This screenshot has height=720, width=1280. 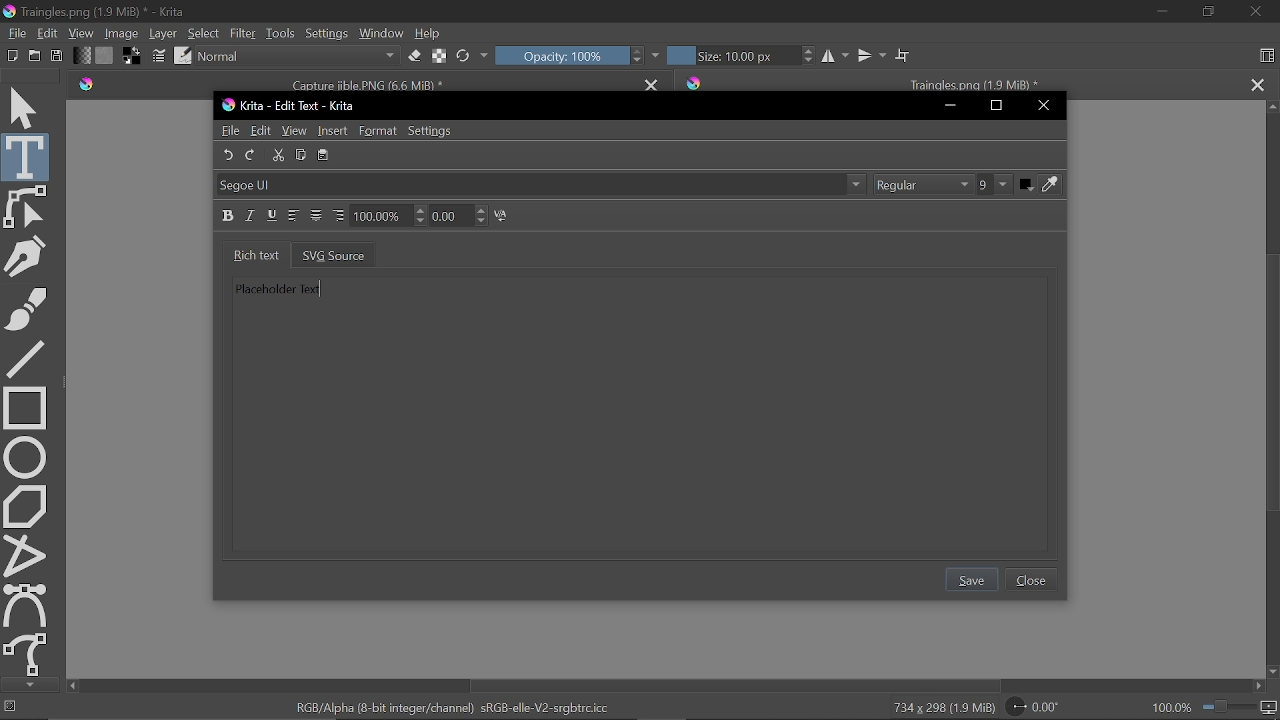 I want to click on File, so click(x=18, y=32).